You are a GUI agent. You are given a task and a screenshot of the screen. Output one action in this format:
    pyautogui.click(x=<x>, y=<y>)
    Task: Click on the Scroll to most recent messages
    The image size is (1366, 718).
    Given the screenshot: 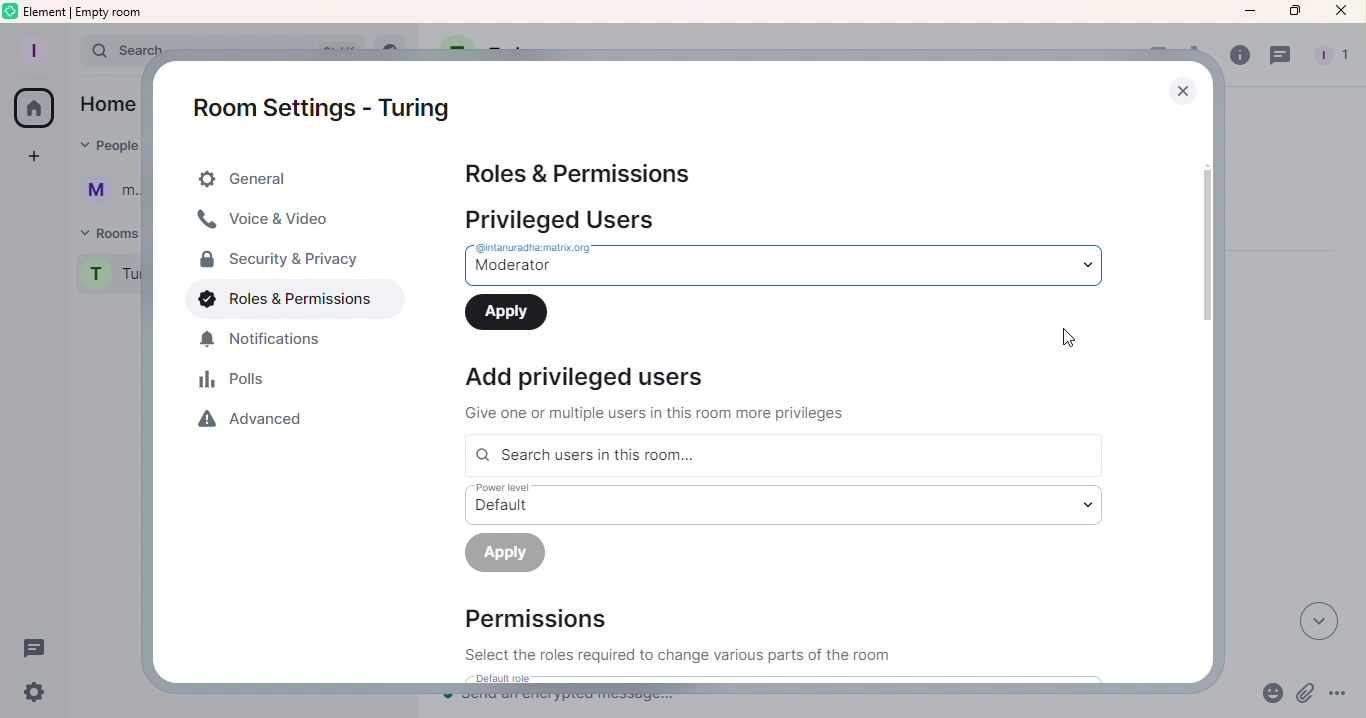 What is the action you would take?
    pyautogui.click(x=1315, y=621)
    